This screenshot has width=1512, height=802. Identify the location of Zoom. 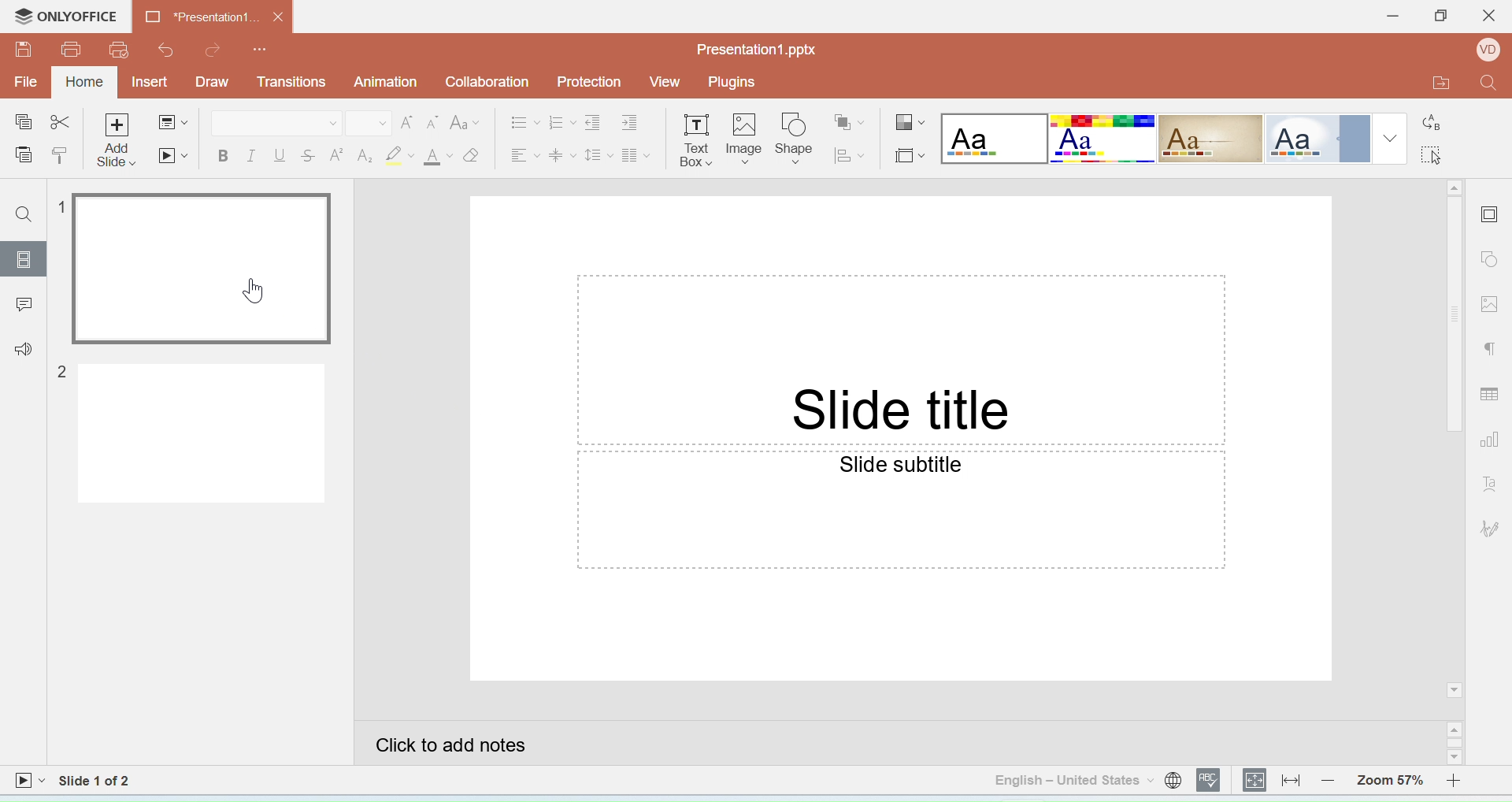
(1390, 778).